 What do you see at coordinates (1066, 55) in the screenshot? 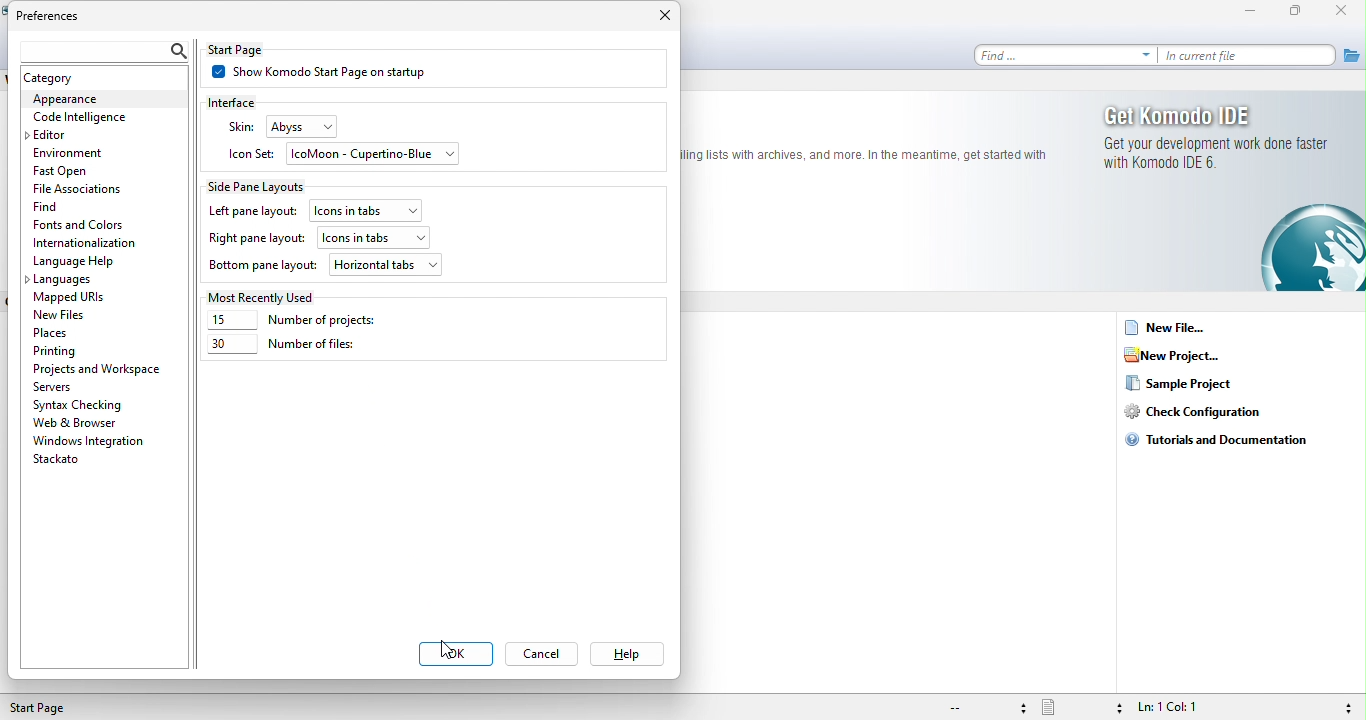
I see `find` at bounding box center [1066, 55].